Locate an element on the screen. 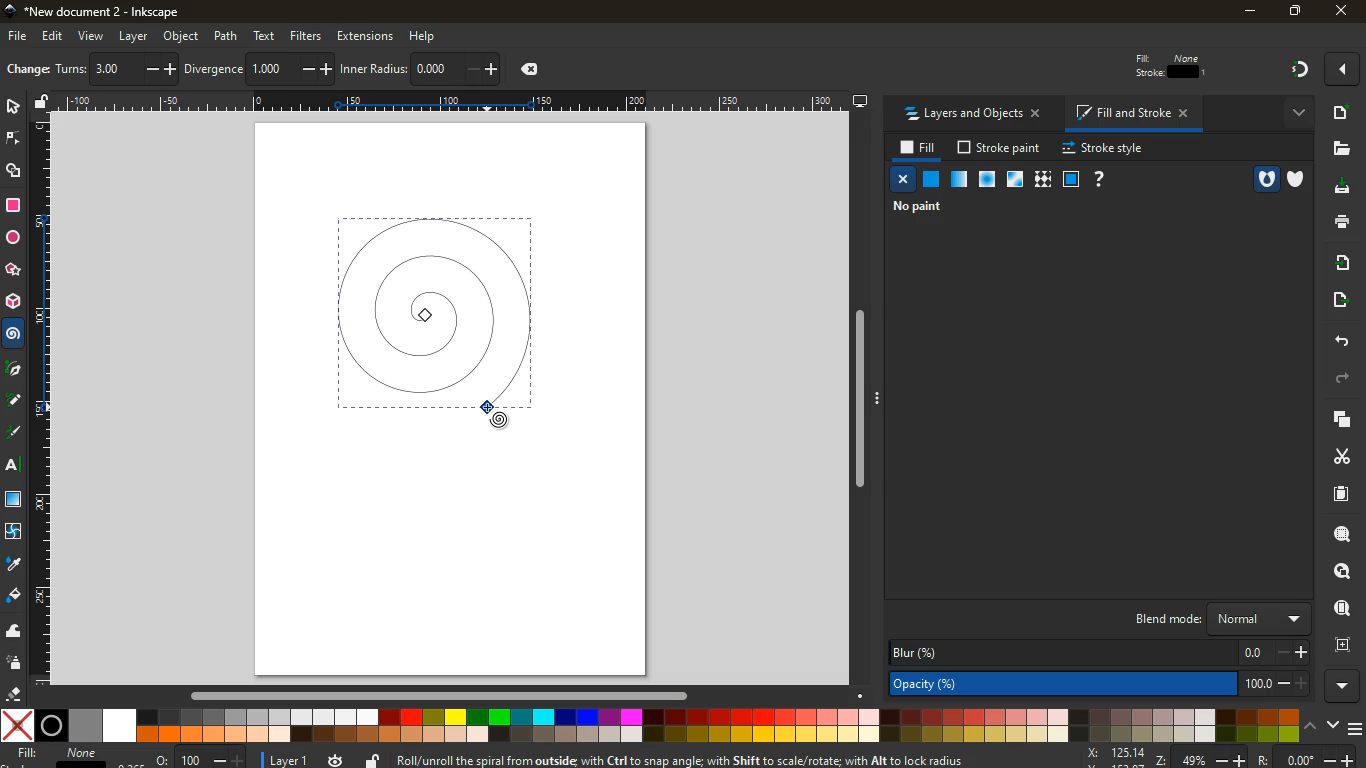 The image size is (1366, 768). down is located at coordinates (1335, 726).